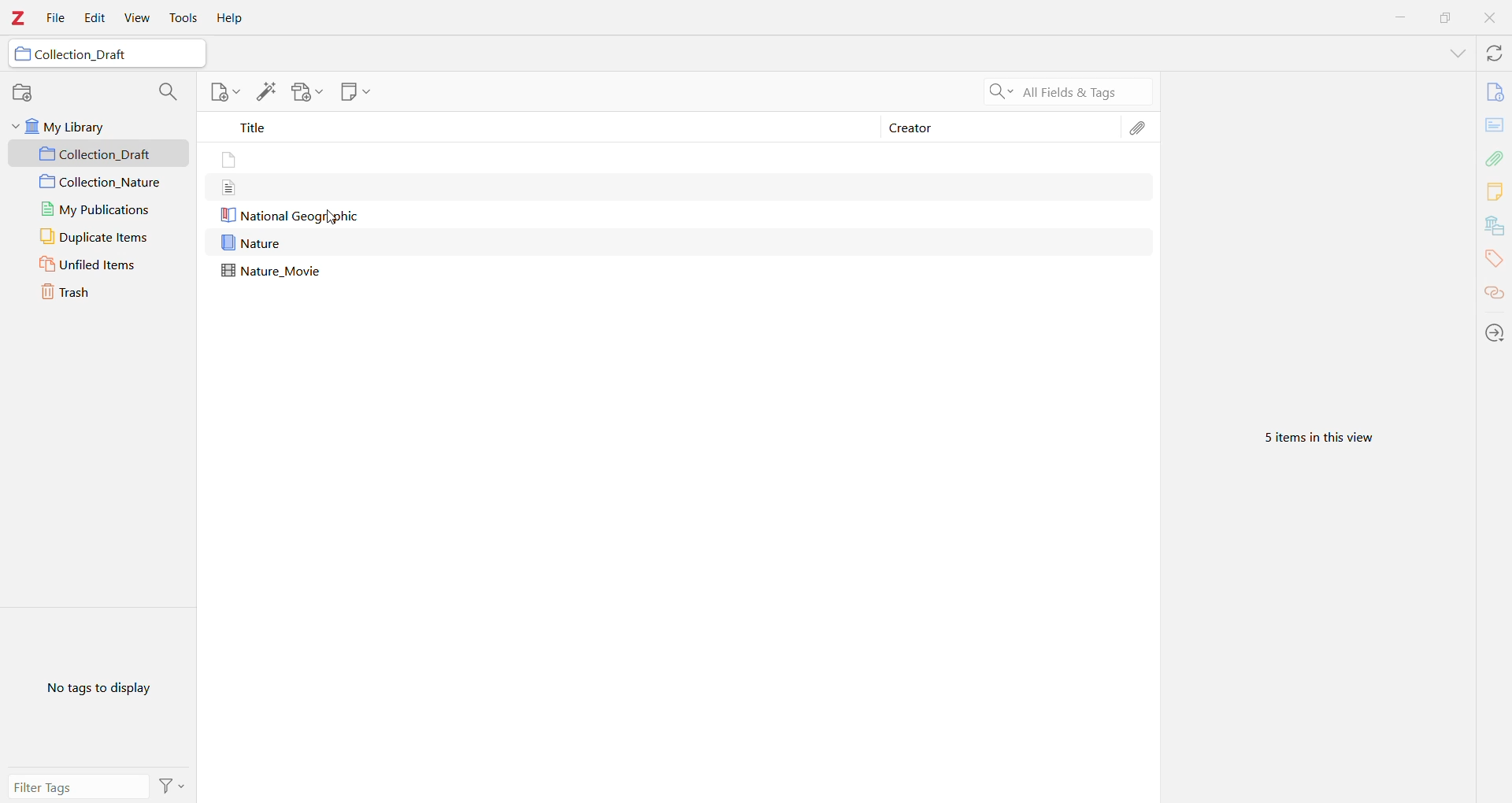  I want to click on Abstract, so click(1495, 124).